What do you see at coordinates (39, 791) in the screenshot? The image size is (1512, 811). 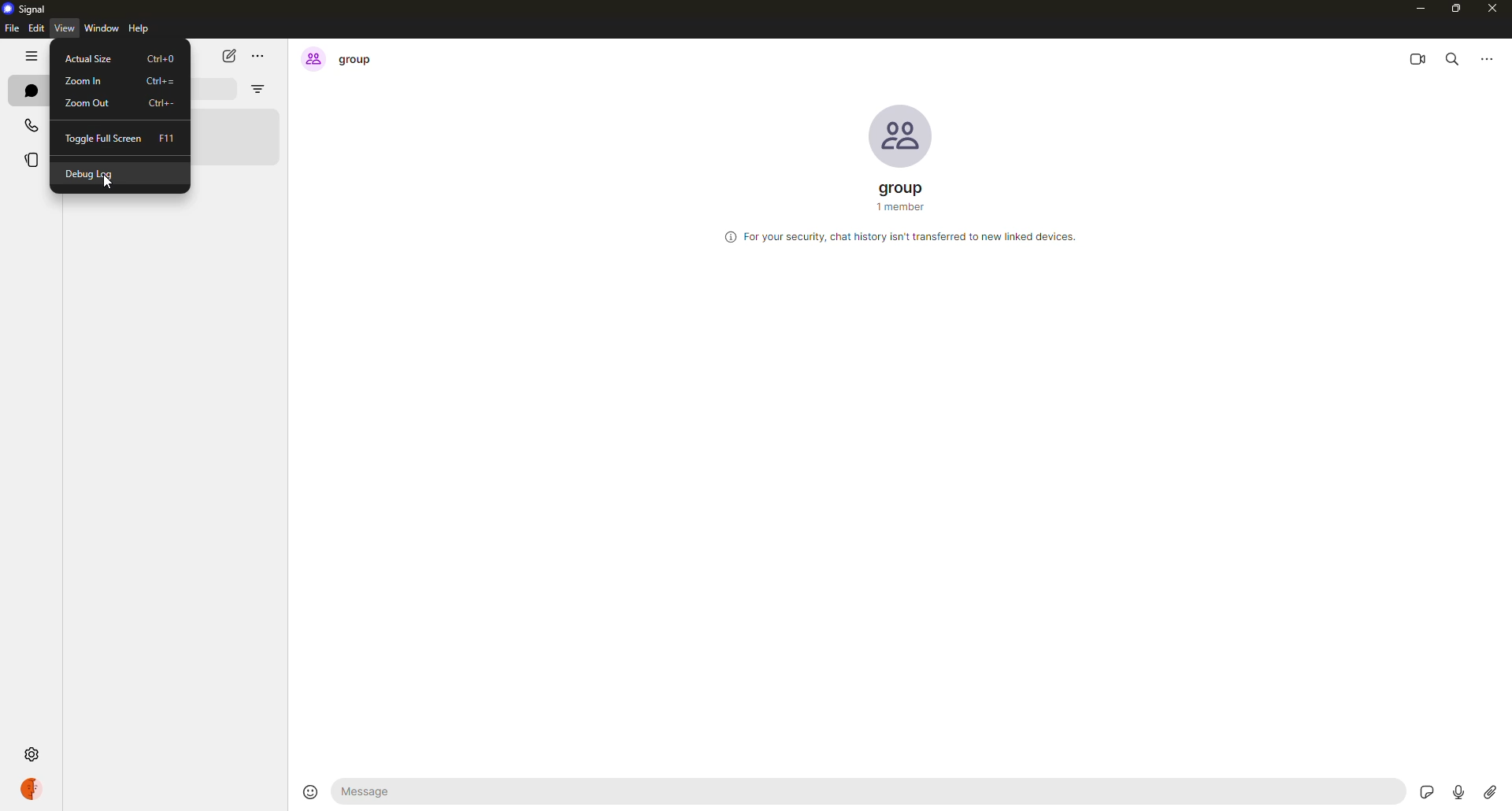 I see `profile` at bounding box center [39, 791].